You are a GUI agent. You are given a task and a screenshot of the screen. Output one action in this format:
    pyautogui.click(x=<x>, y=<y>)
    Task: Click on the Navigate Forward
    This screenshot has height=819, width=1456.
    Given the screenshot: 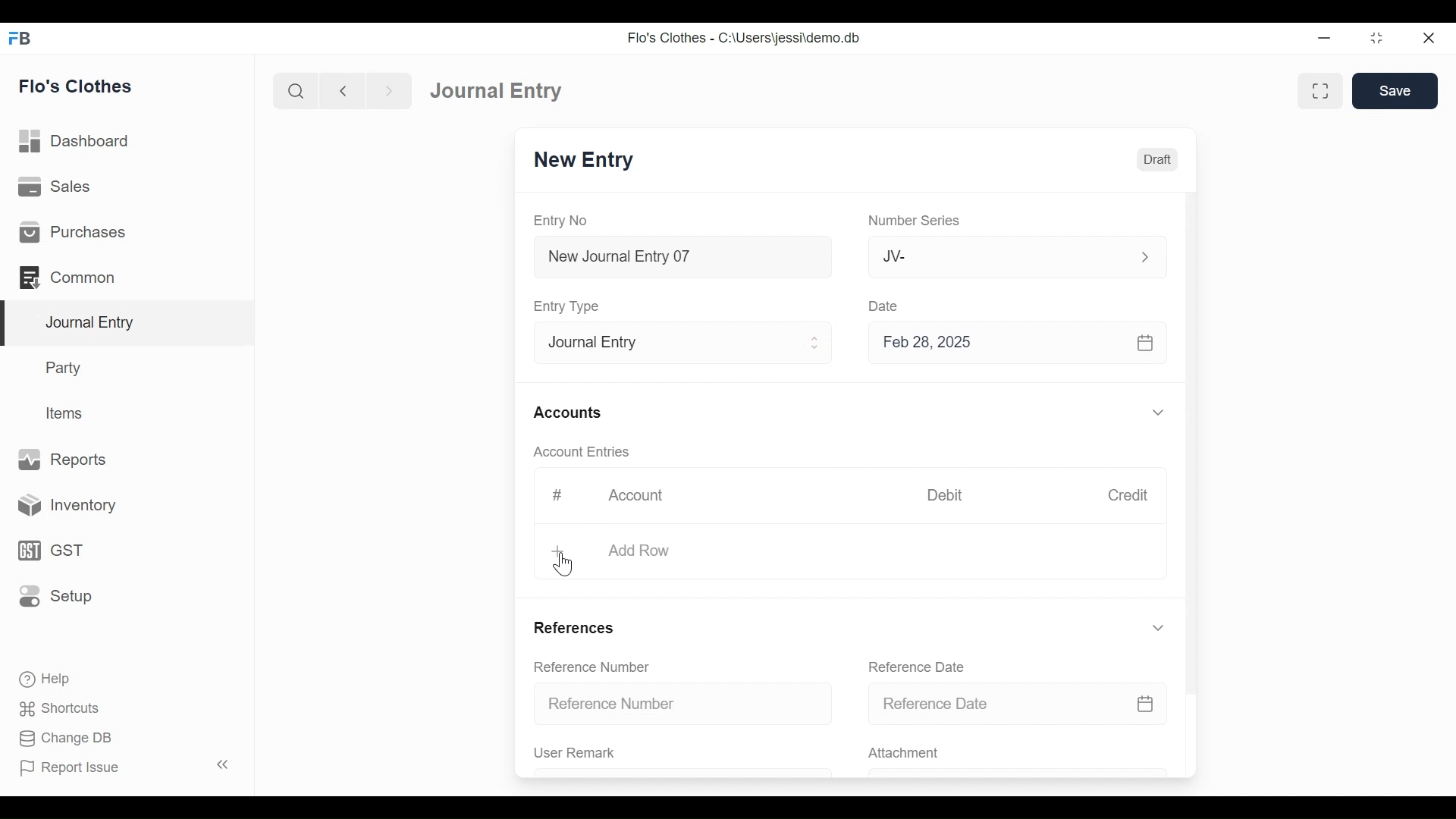 What is the action you would take?
    pyautogui.click(x=389, y=91)
    